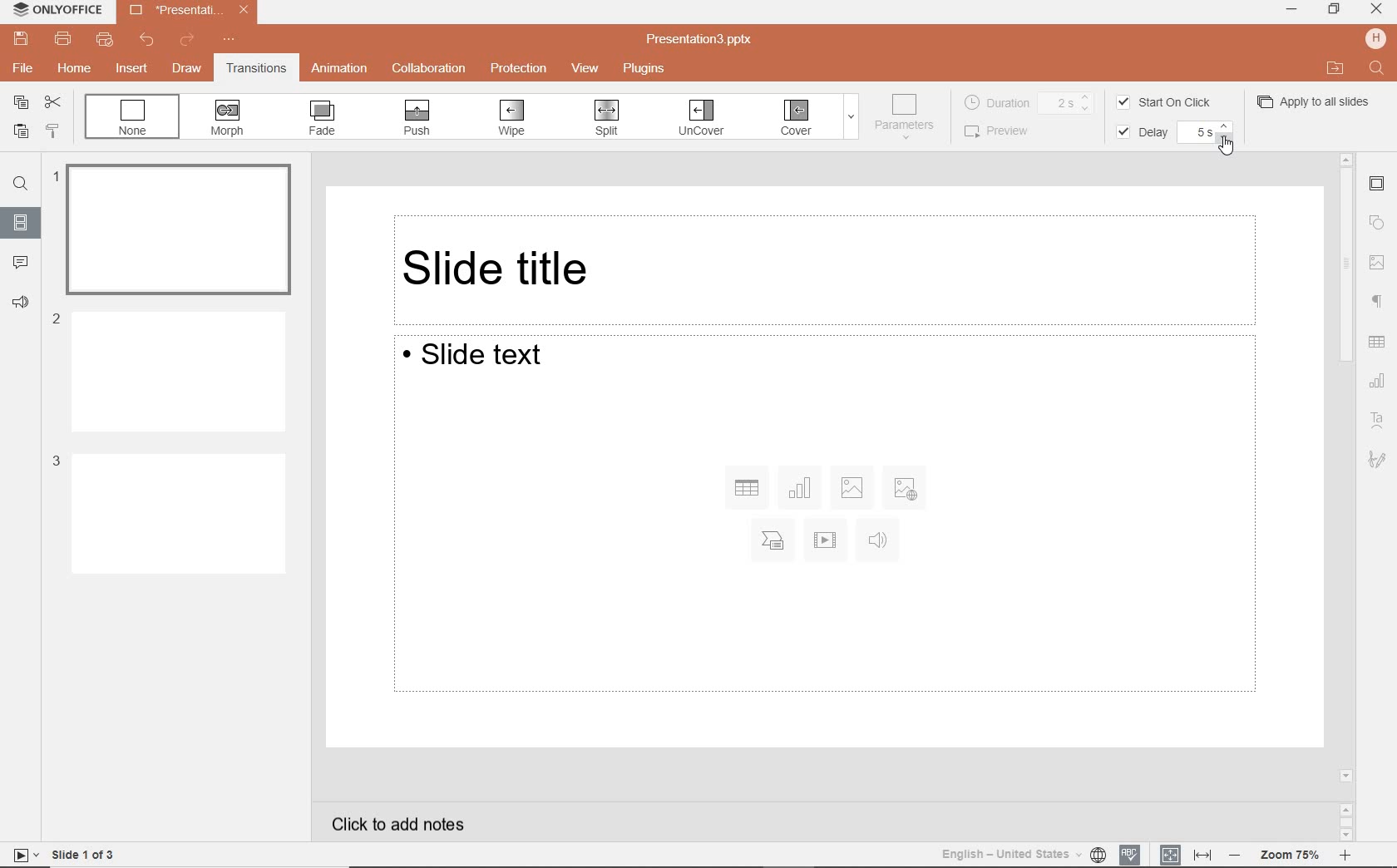  Describe the element at coordinates (1292, 8) in the screenshot. I see `MINIMIZE` at that location.